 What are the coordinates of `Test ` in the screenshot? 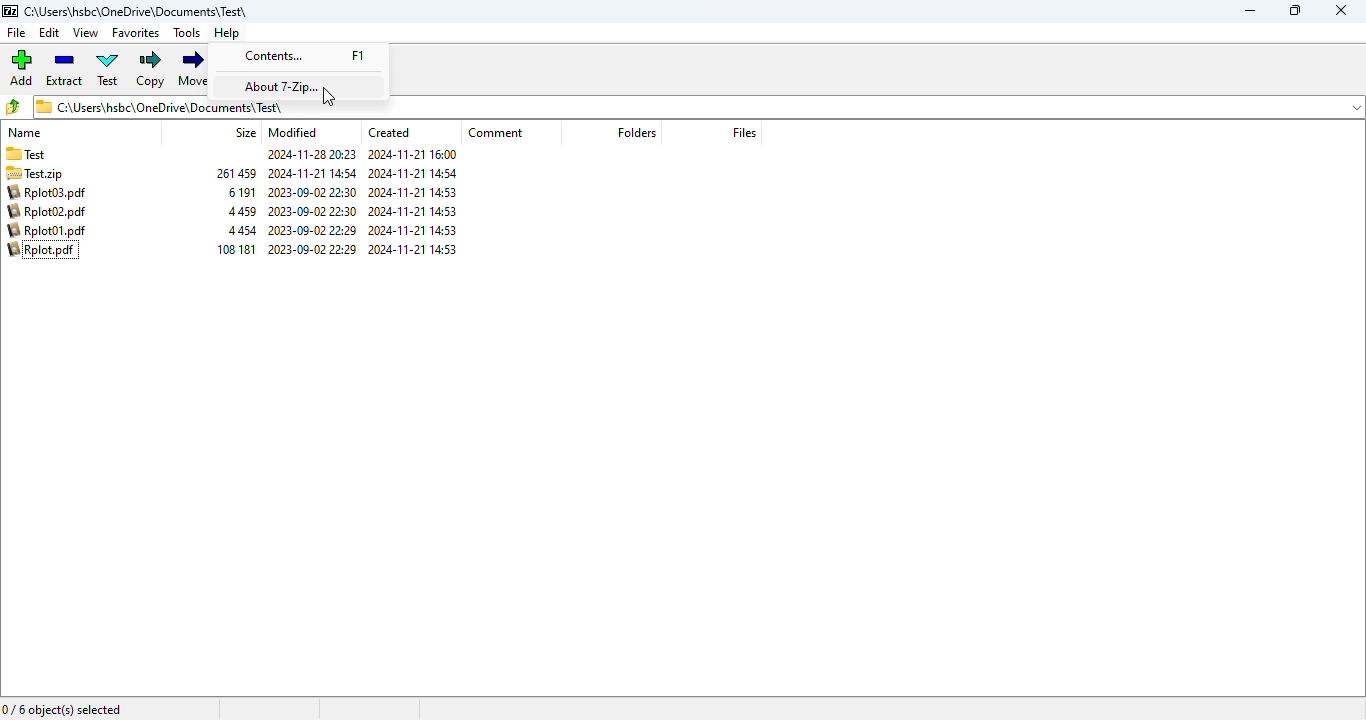 It's located at (56, 155).